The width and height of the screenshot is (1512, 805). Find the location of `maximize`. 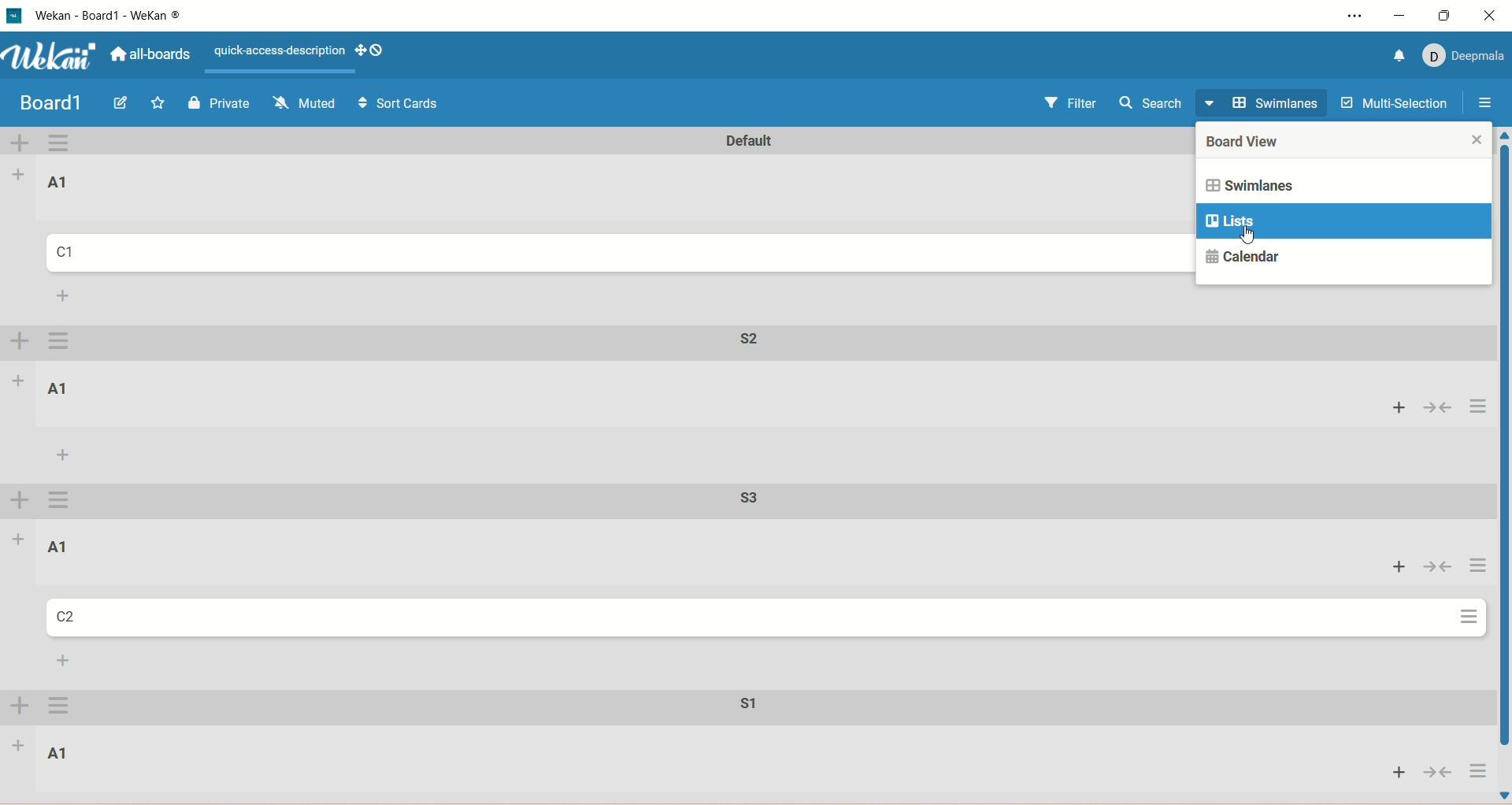

maximize is located at coordinates (1445, 13).